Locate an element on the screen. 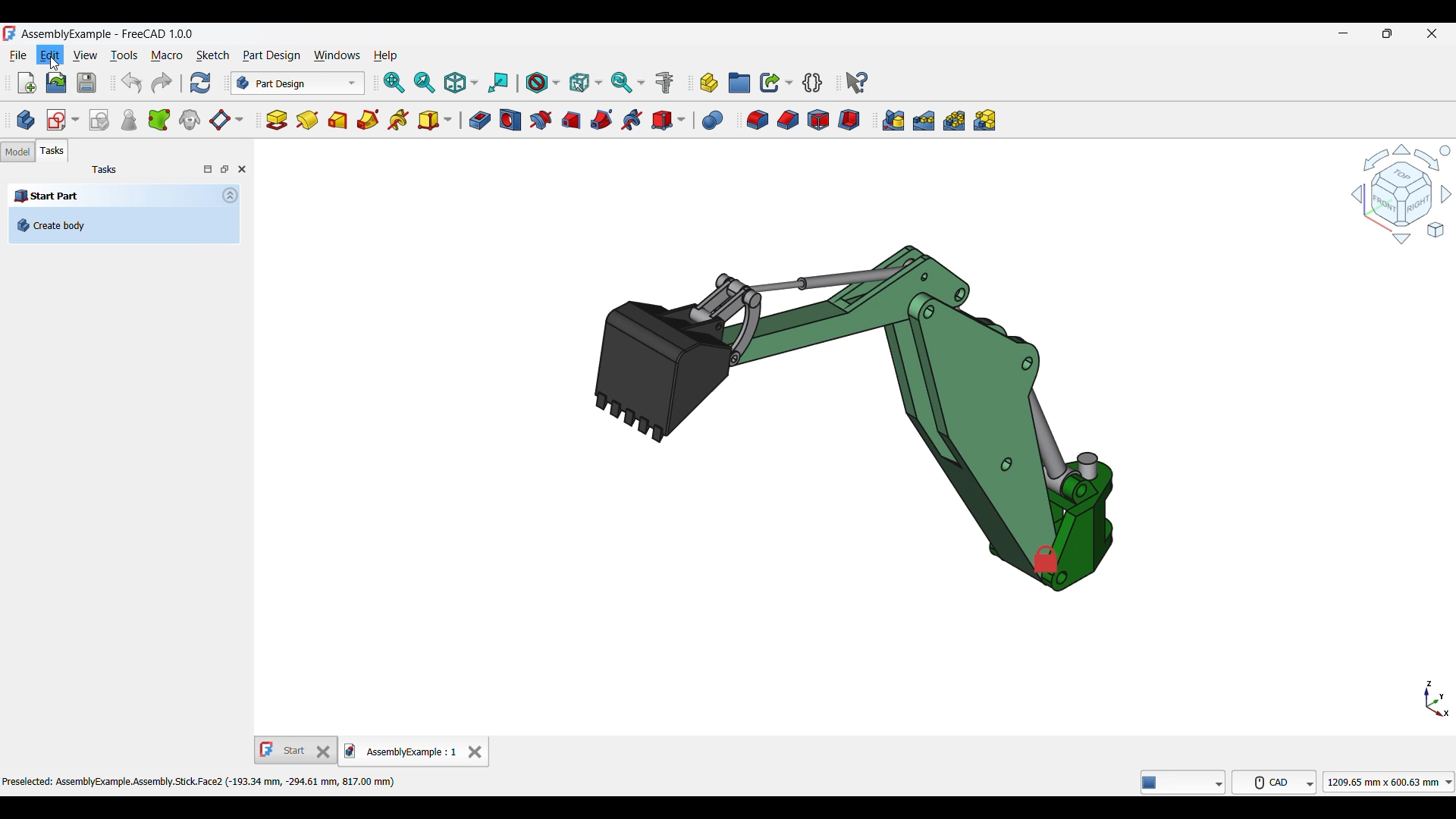 The image size is (1456, 819). Toggle floating window is located at coordinates (224, 169).